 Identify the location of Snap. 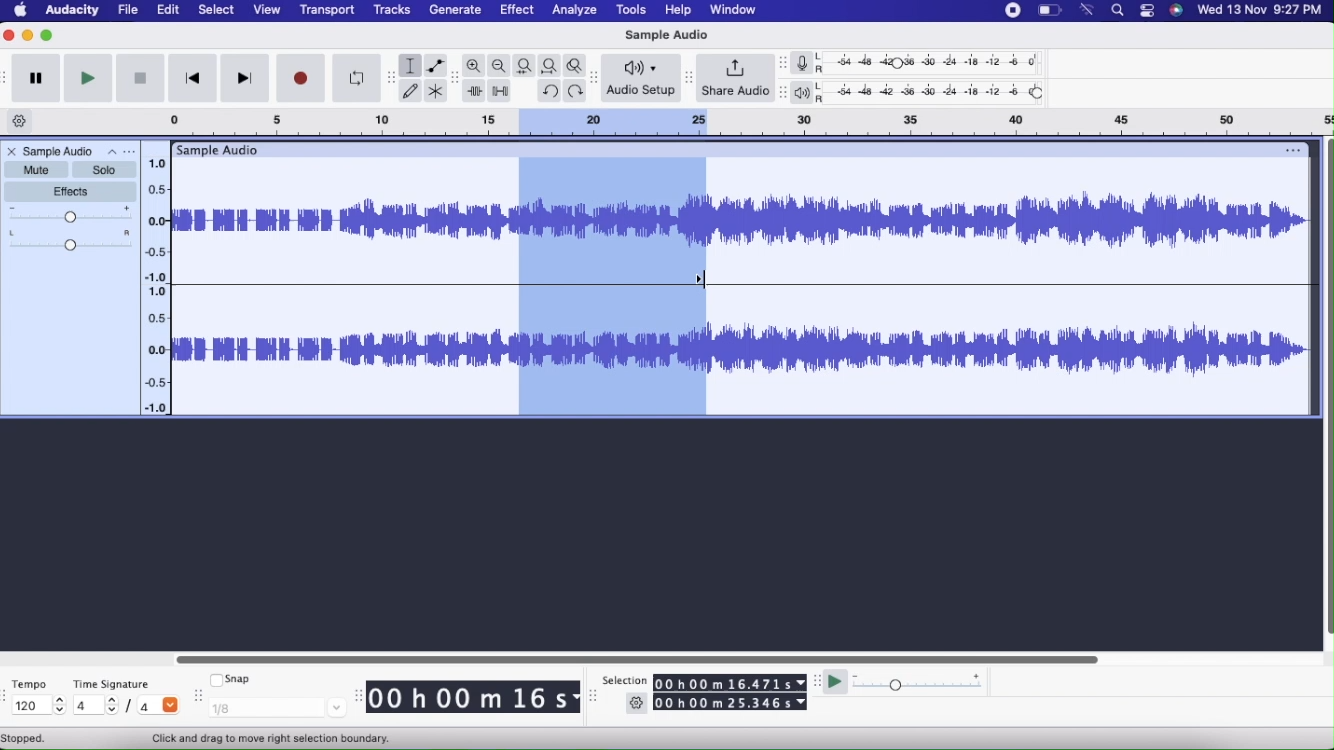
(231, 677).